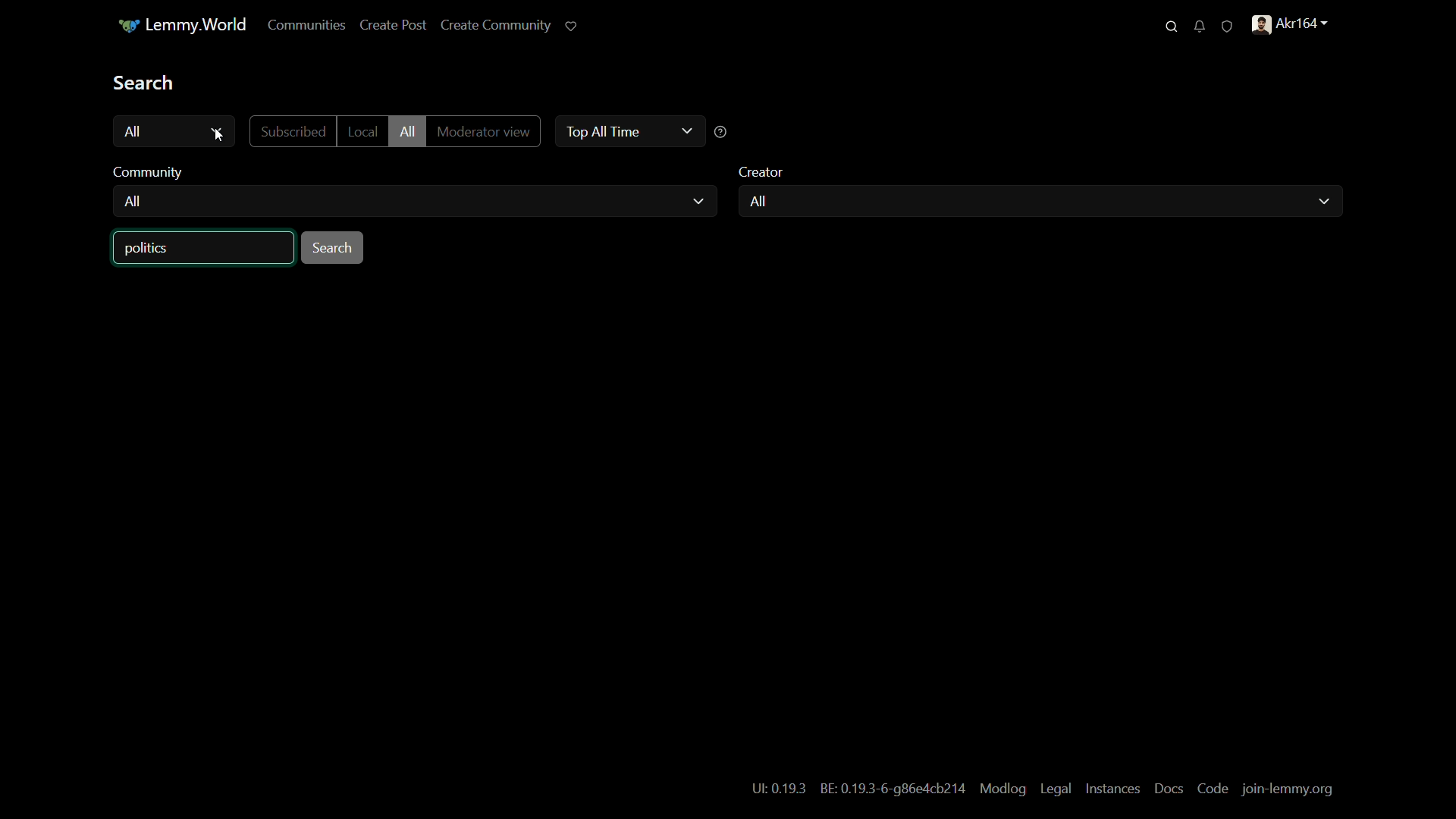  I want to click on community, so click(152, 172).